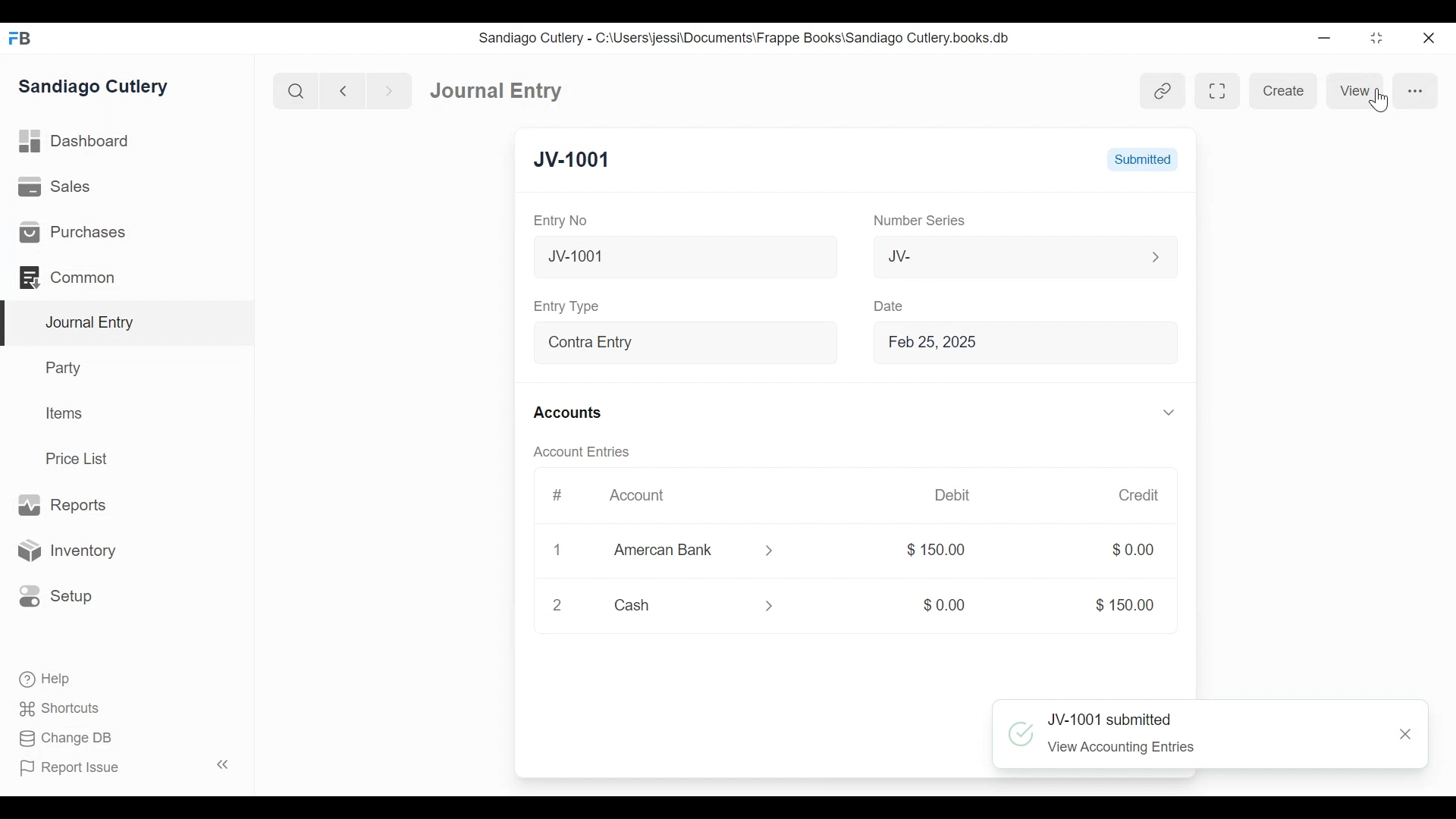  Describe the element at coordinates (767, 551) in the screenshot. I see `Expand` at that location.